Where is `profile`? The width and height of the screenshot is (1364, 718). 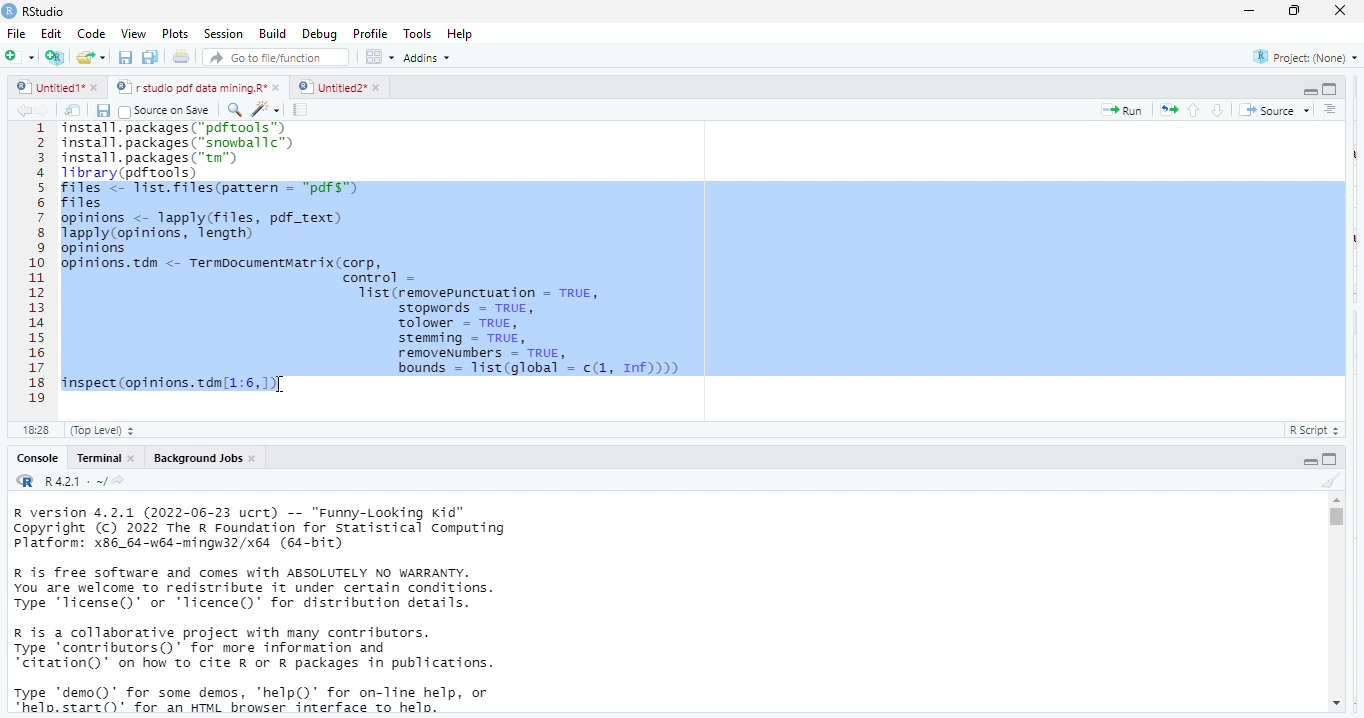
profile is located at coordinates (370, 32).